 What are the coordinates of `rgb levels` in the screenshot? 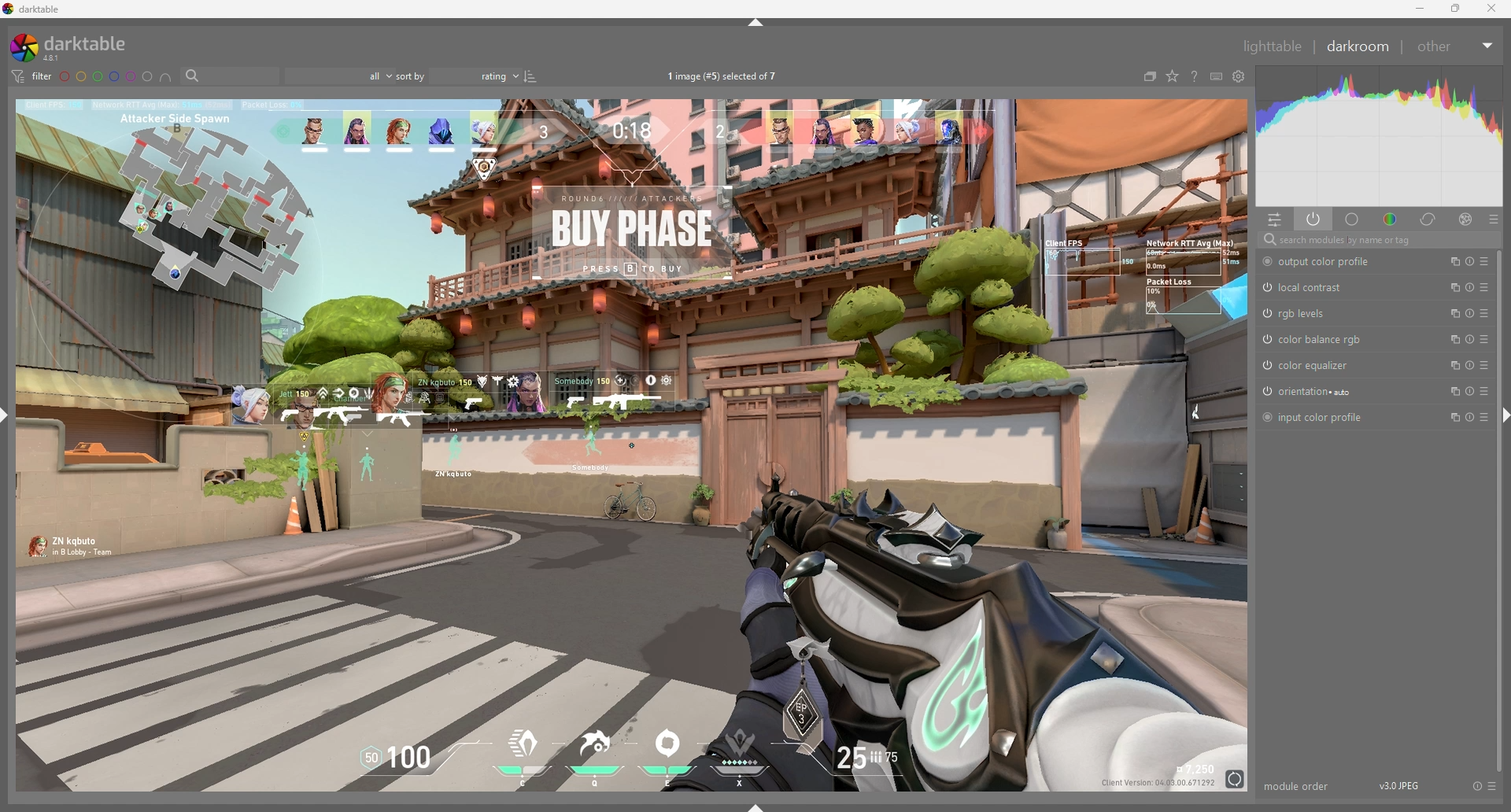 It's located at (1303, 313).